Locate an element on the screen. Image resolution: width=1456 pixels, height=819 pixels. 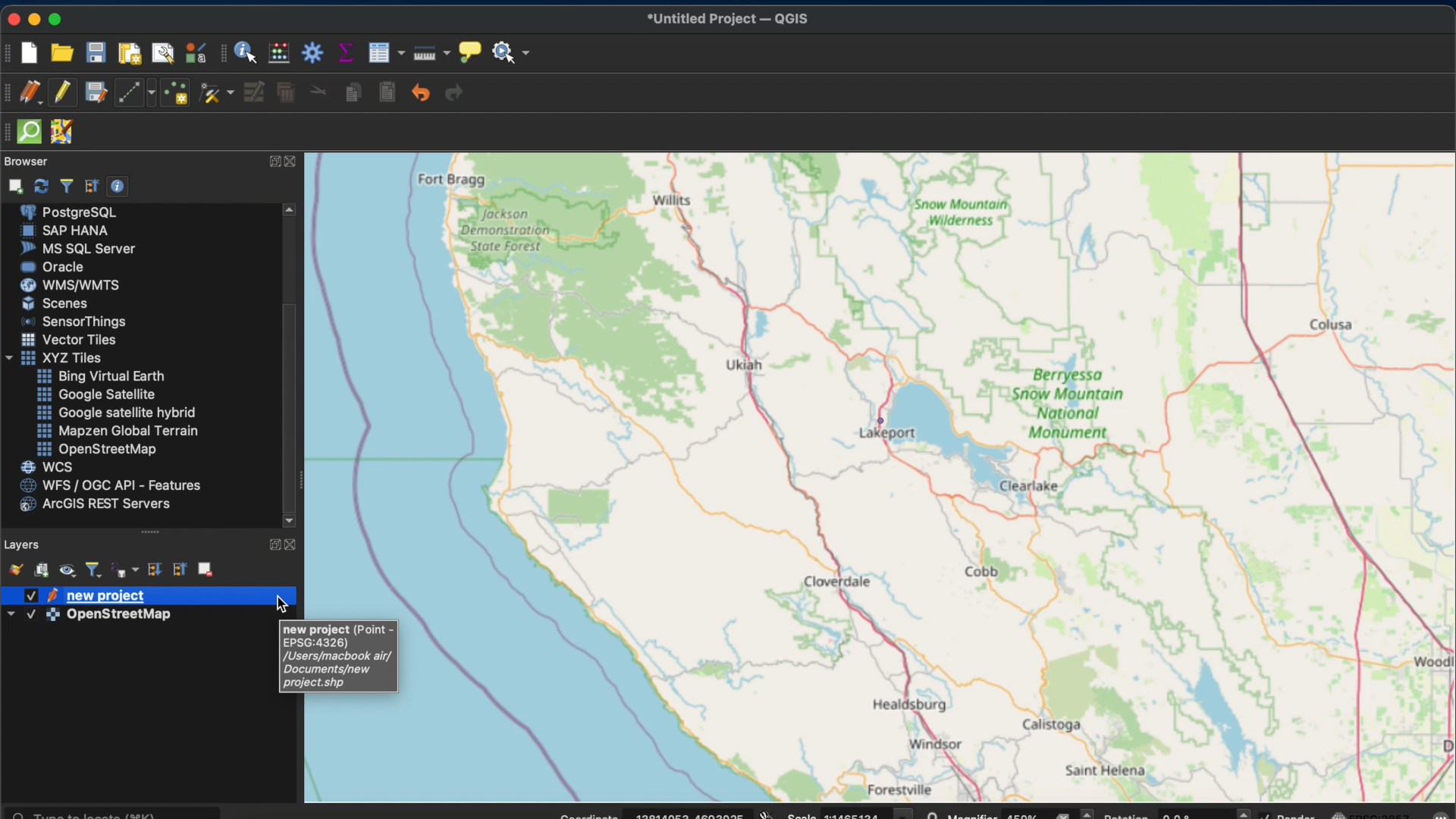
add group is located at coordinates (42, 569).